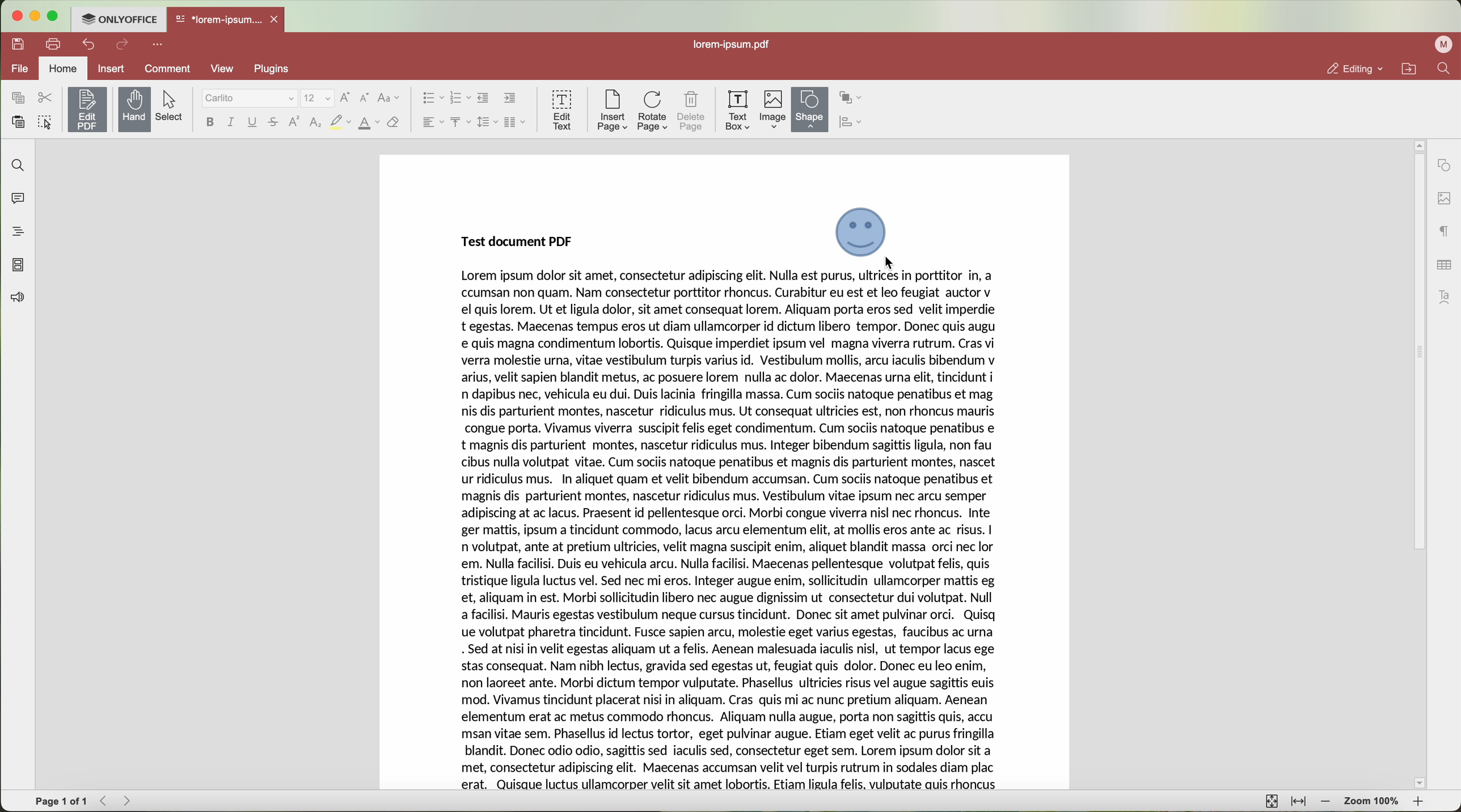 The image size is (1461, 812). I want to click on home, so click(65, 67).